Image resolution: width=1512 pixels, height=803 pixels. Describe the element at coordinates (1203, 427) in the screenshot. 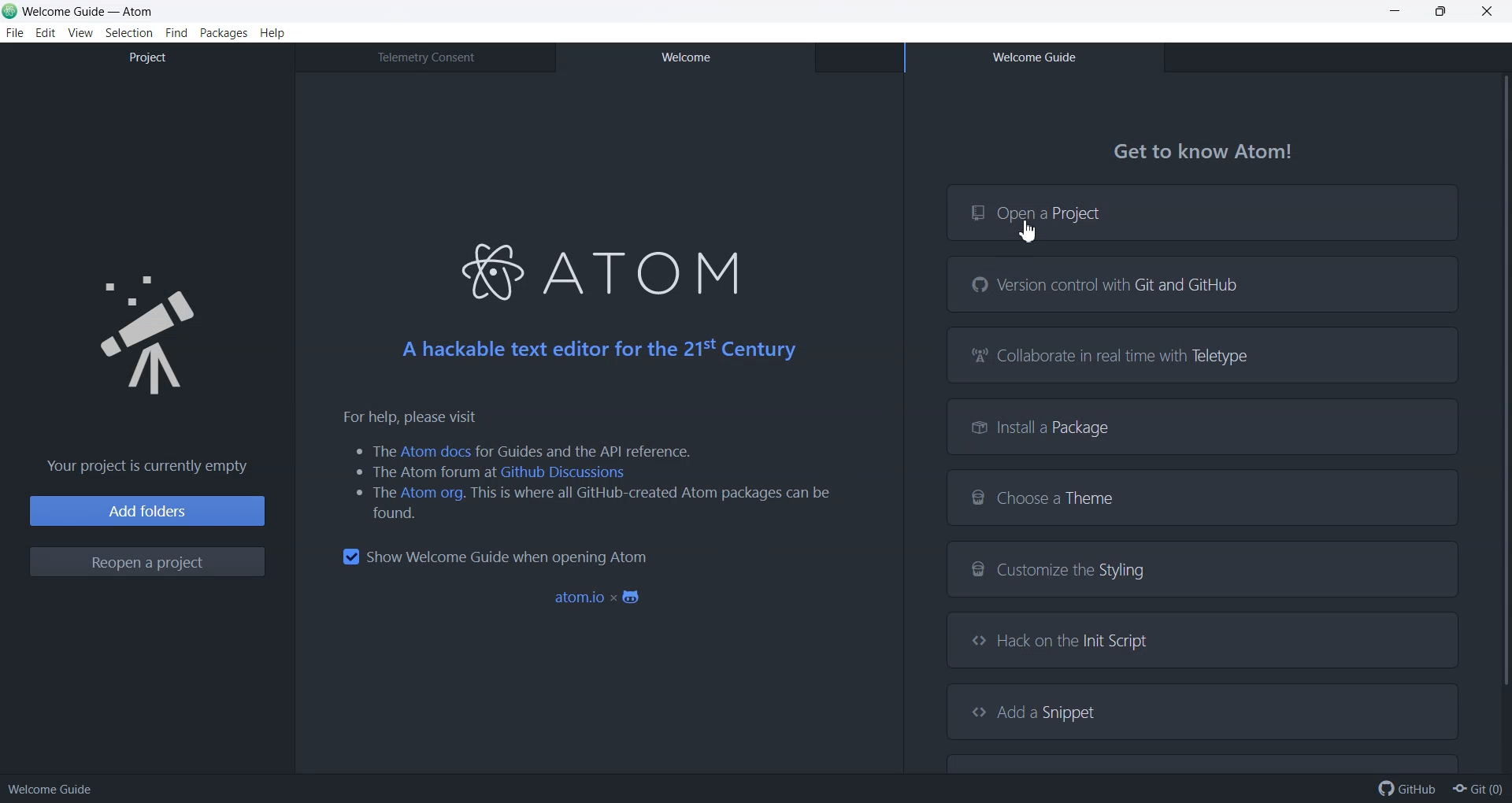

I see `Install a Package` at that location.